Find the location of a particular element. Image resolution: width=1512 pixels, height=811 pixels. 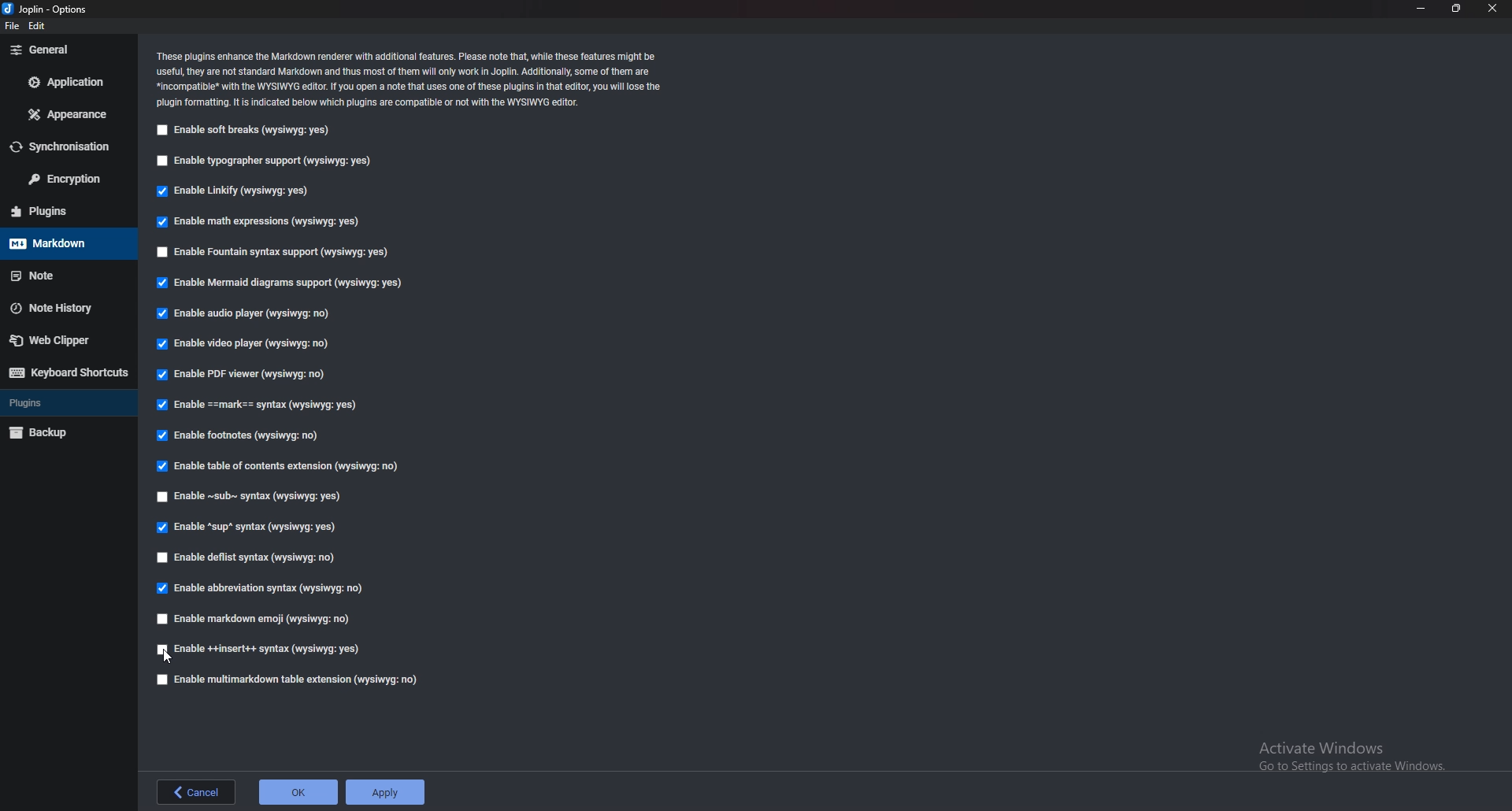

note history is located at coordinates (66, 308).